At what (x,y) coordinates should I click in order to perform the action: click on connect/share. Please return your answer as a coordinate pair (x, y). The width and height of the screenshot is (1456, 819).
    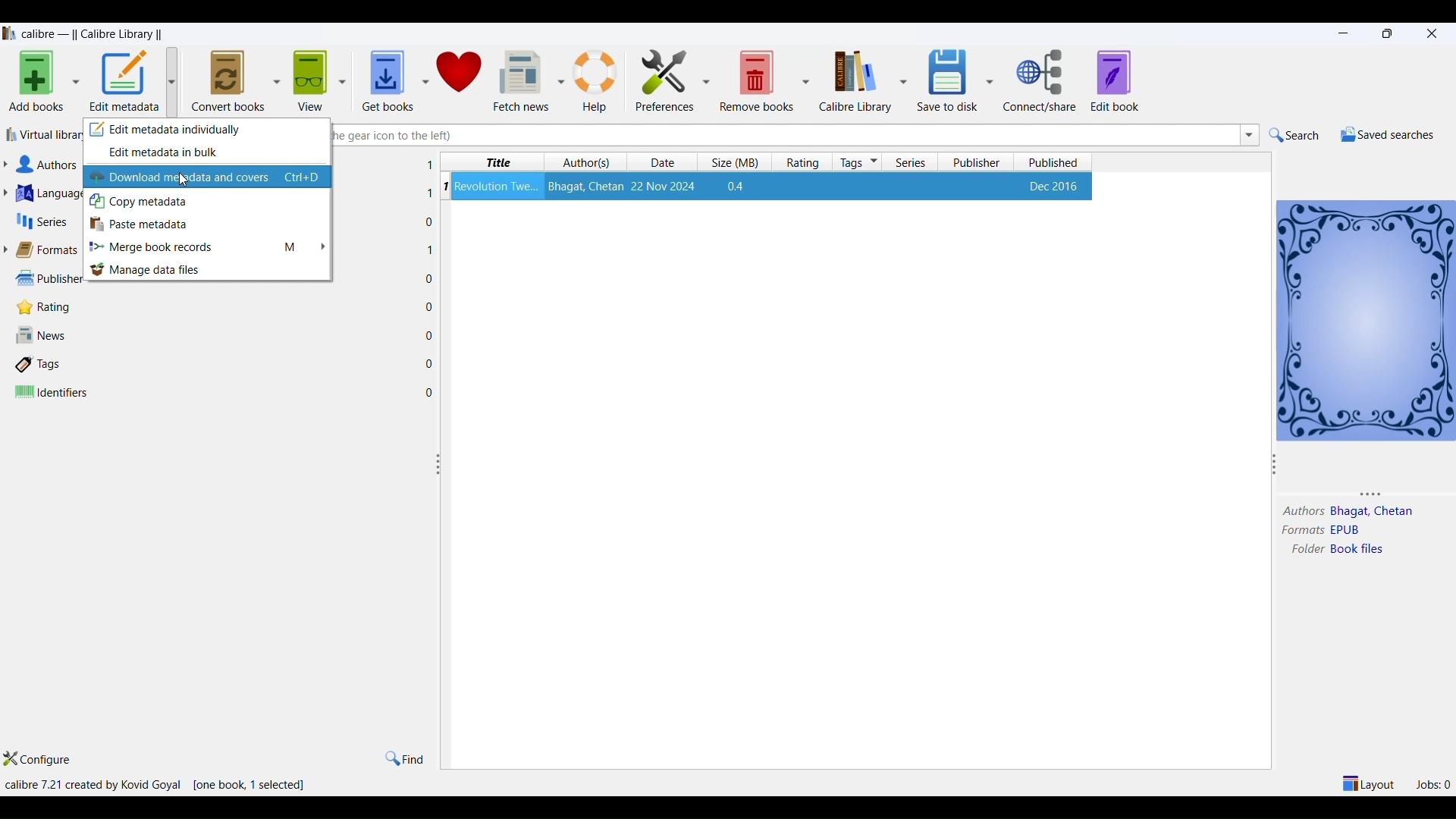
    Looking at the image, I should click on (1040, 82).